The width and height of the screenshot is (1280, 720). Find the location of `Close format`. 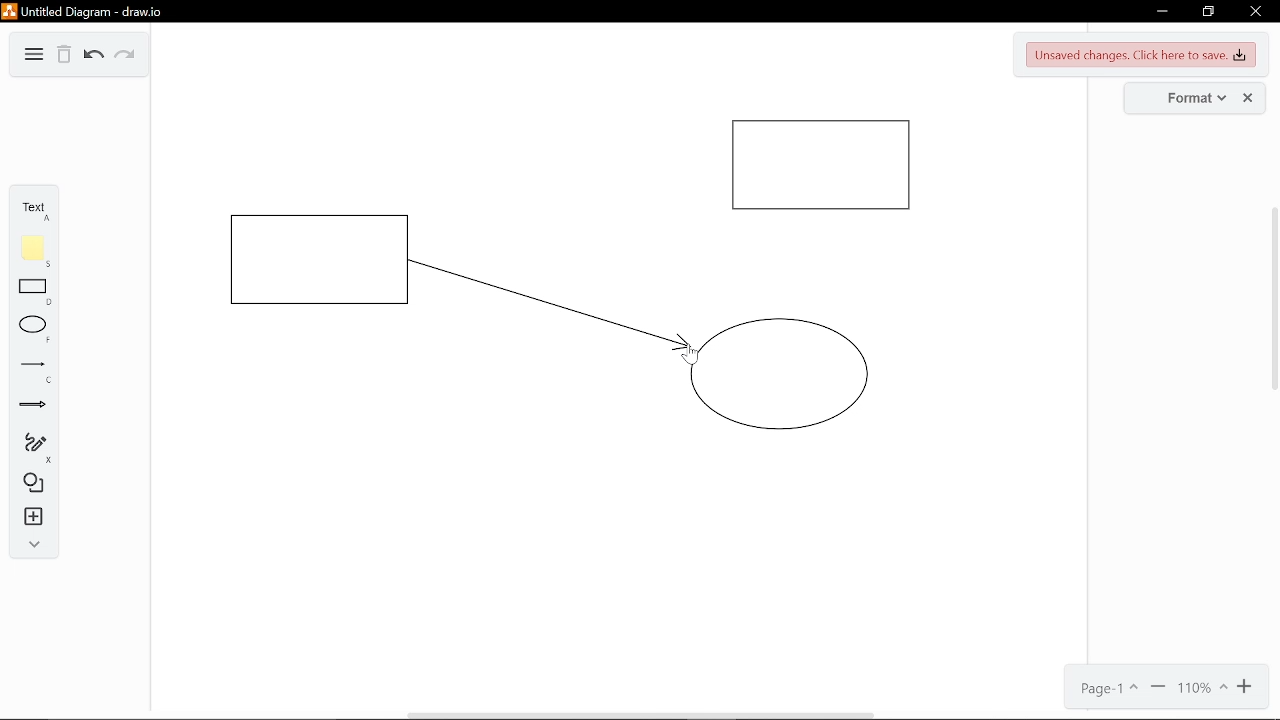

Close format is located at coordinates (1250, 98).